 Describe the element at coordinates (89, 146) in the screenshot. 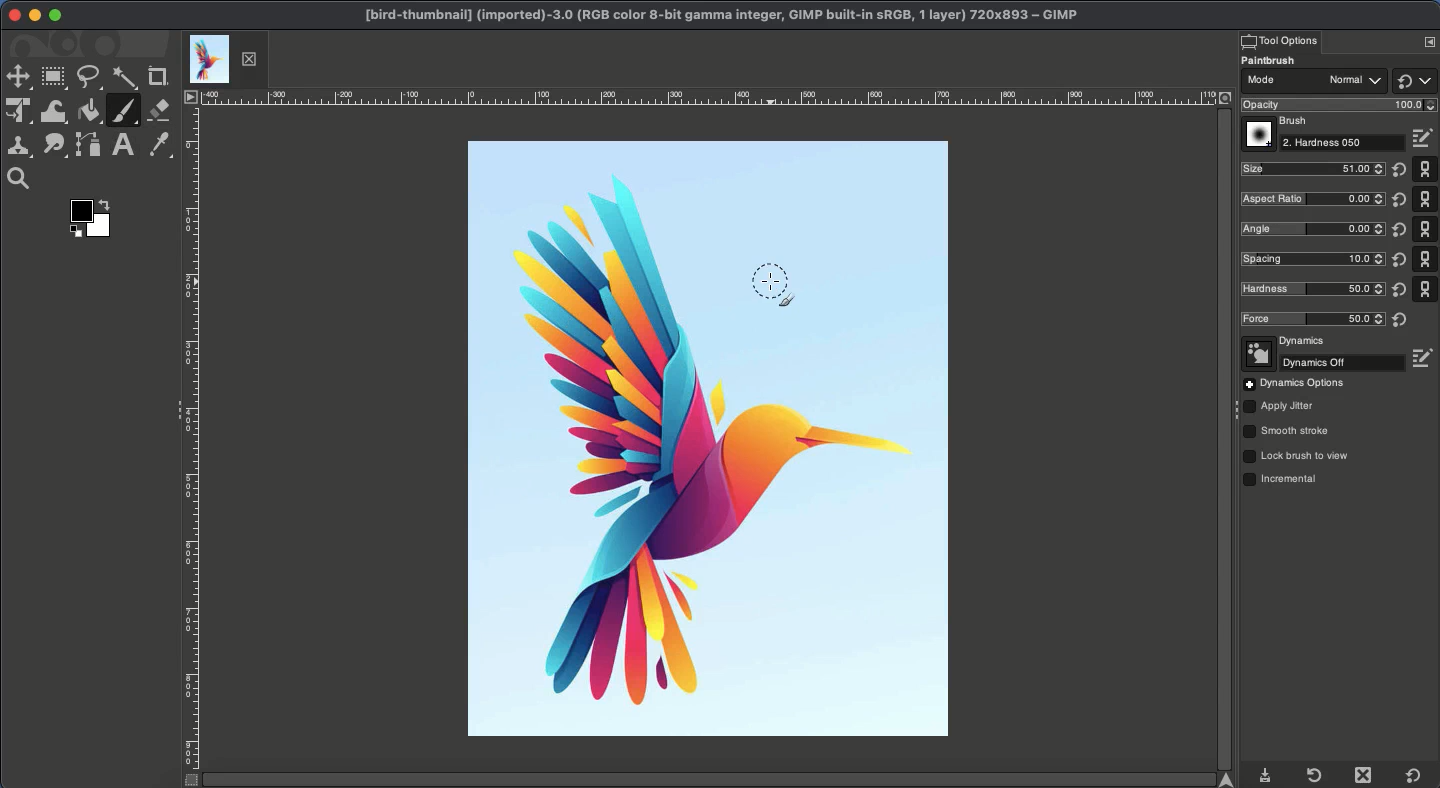

I see `Path` at that location.